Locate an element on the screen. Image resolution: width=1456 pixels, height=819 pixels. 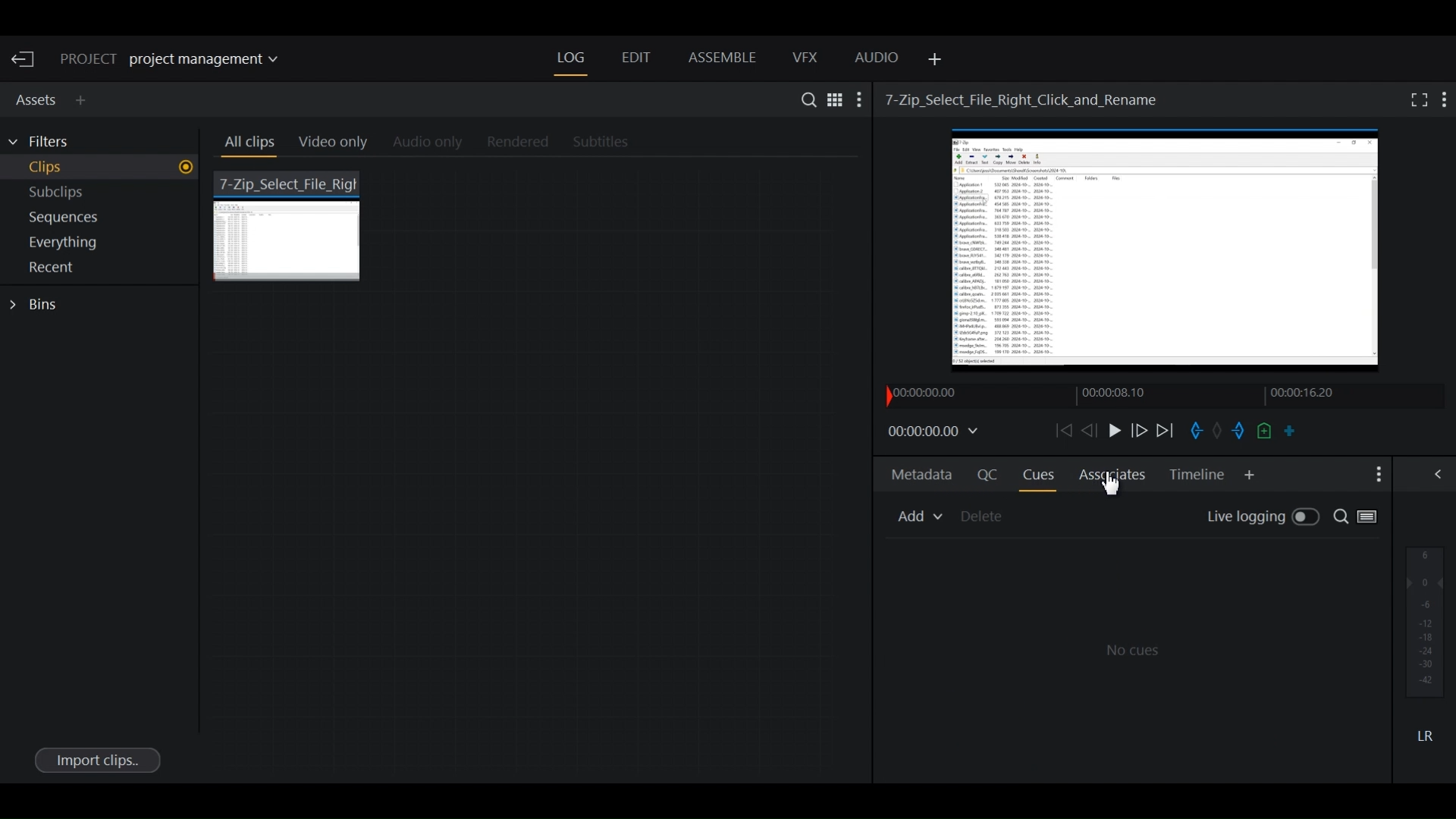
Move backward is located at coordinates (1062, 430).